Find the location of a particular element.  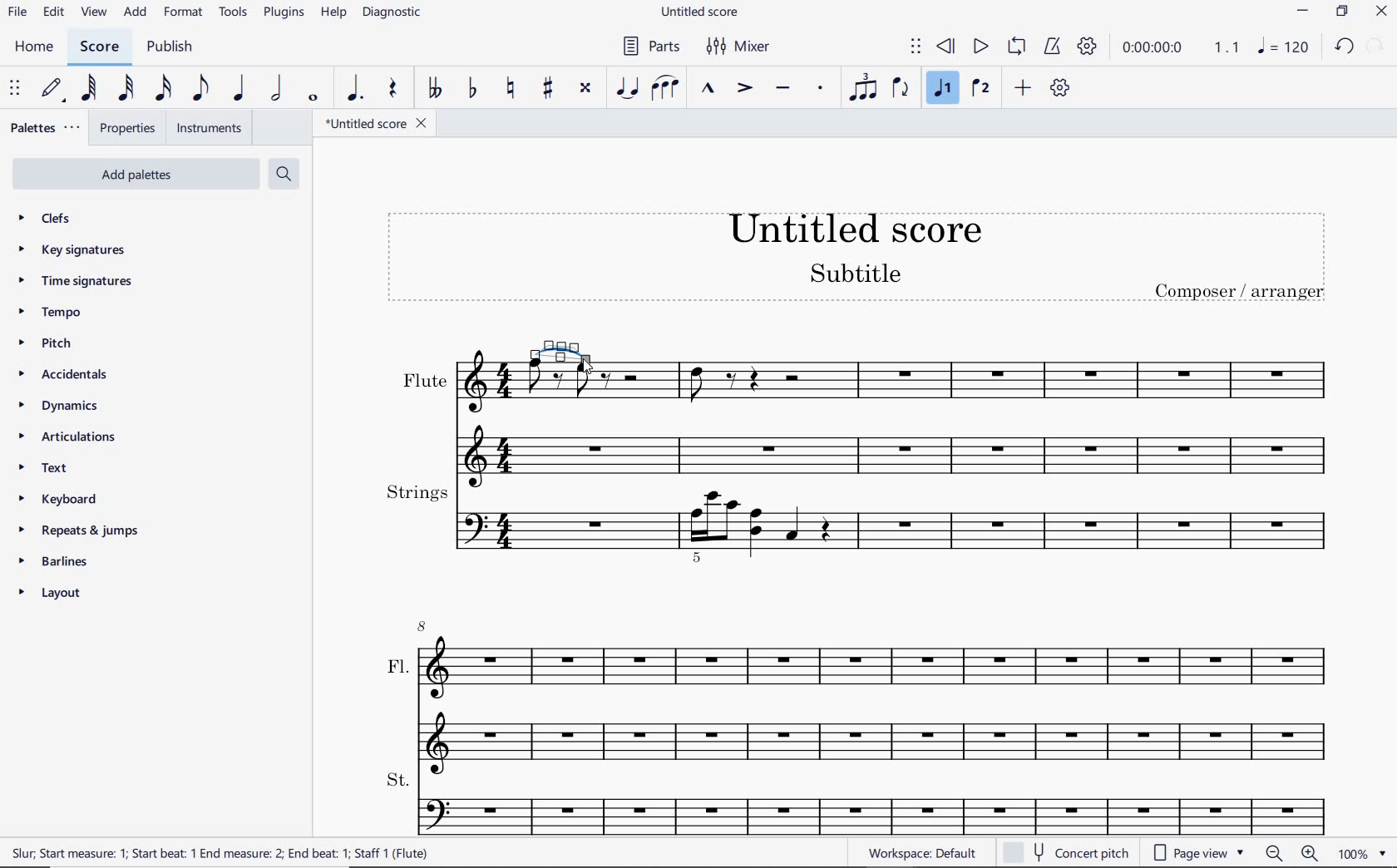

help is located at coordinates (333, 13).